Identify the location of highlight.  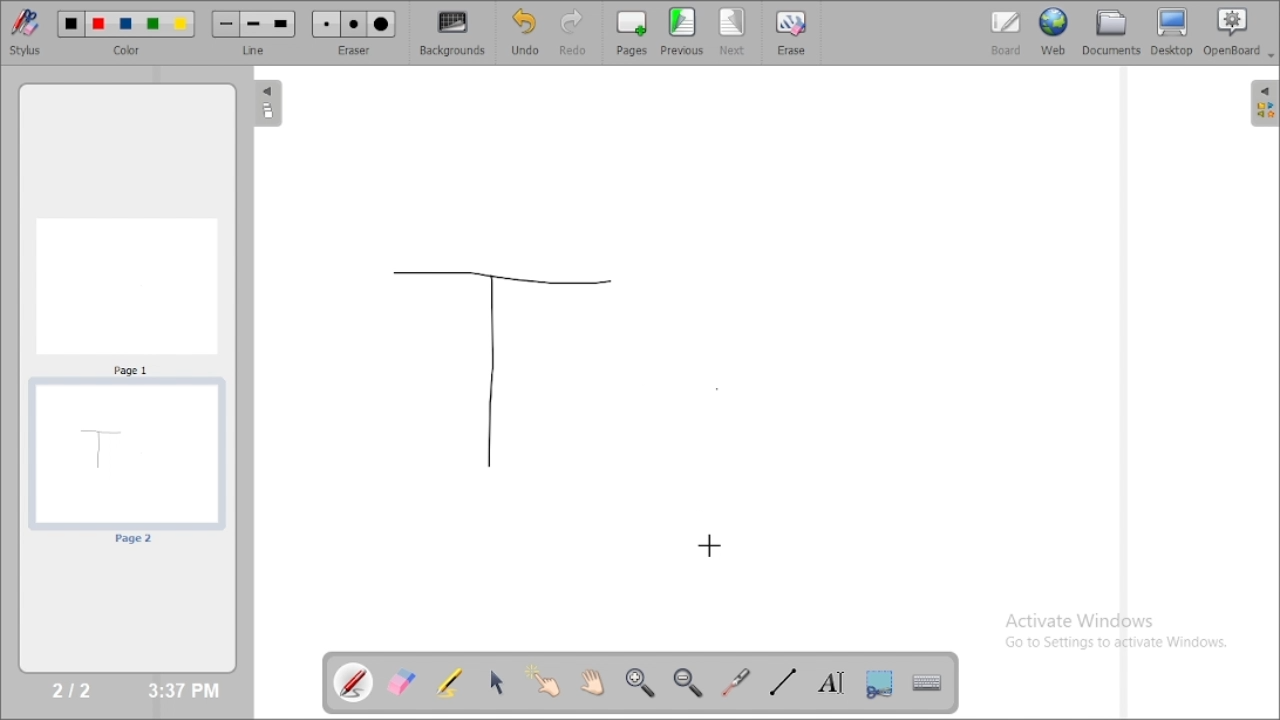
(449, 681).